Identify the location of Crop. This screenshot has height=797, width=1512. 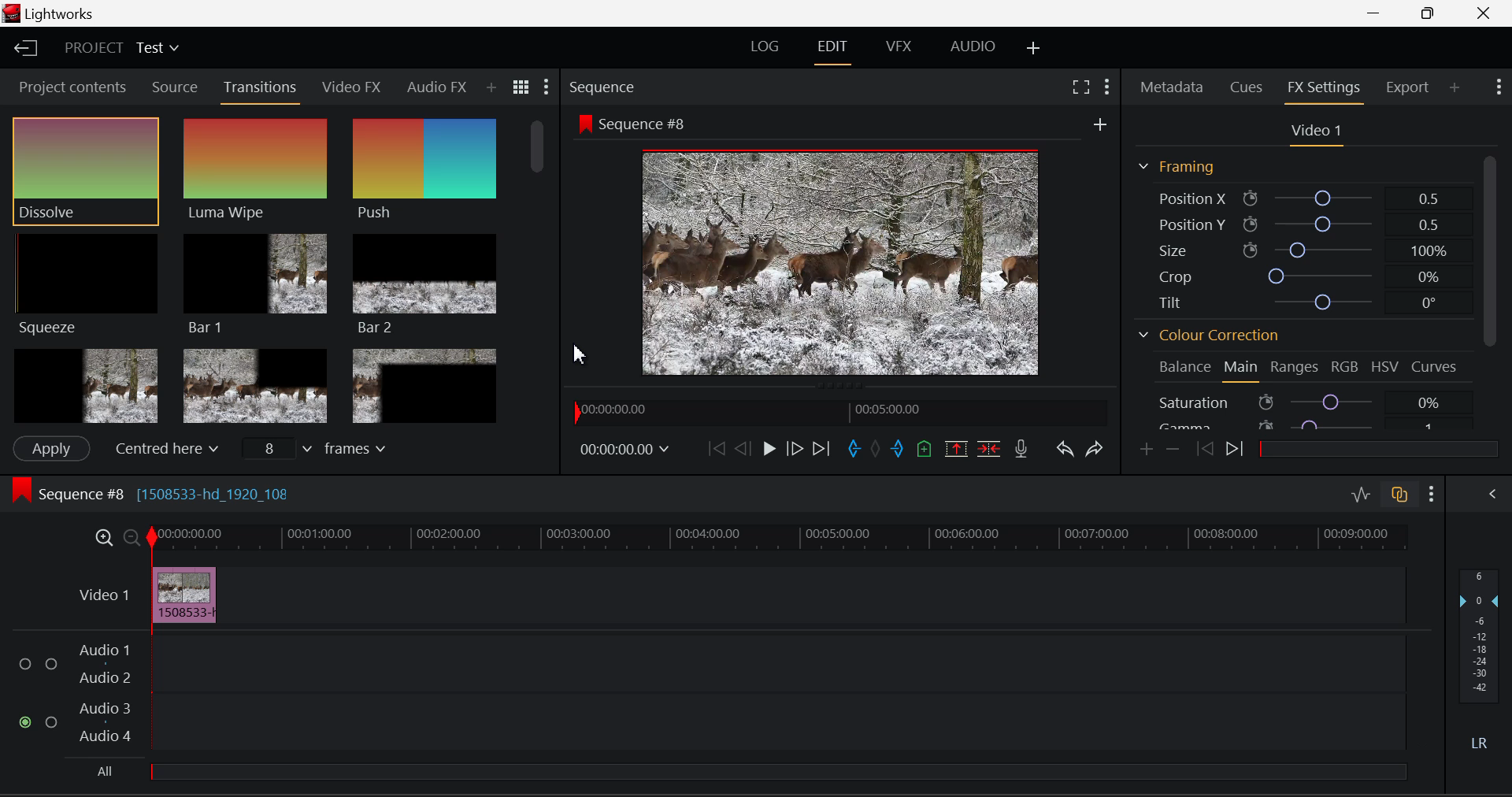
(1308, 276).